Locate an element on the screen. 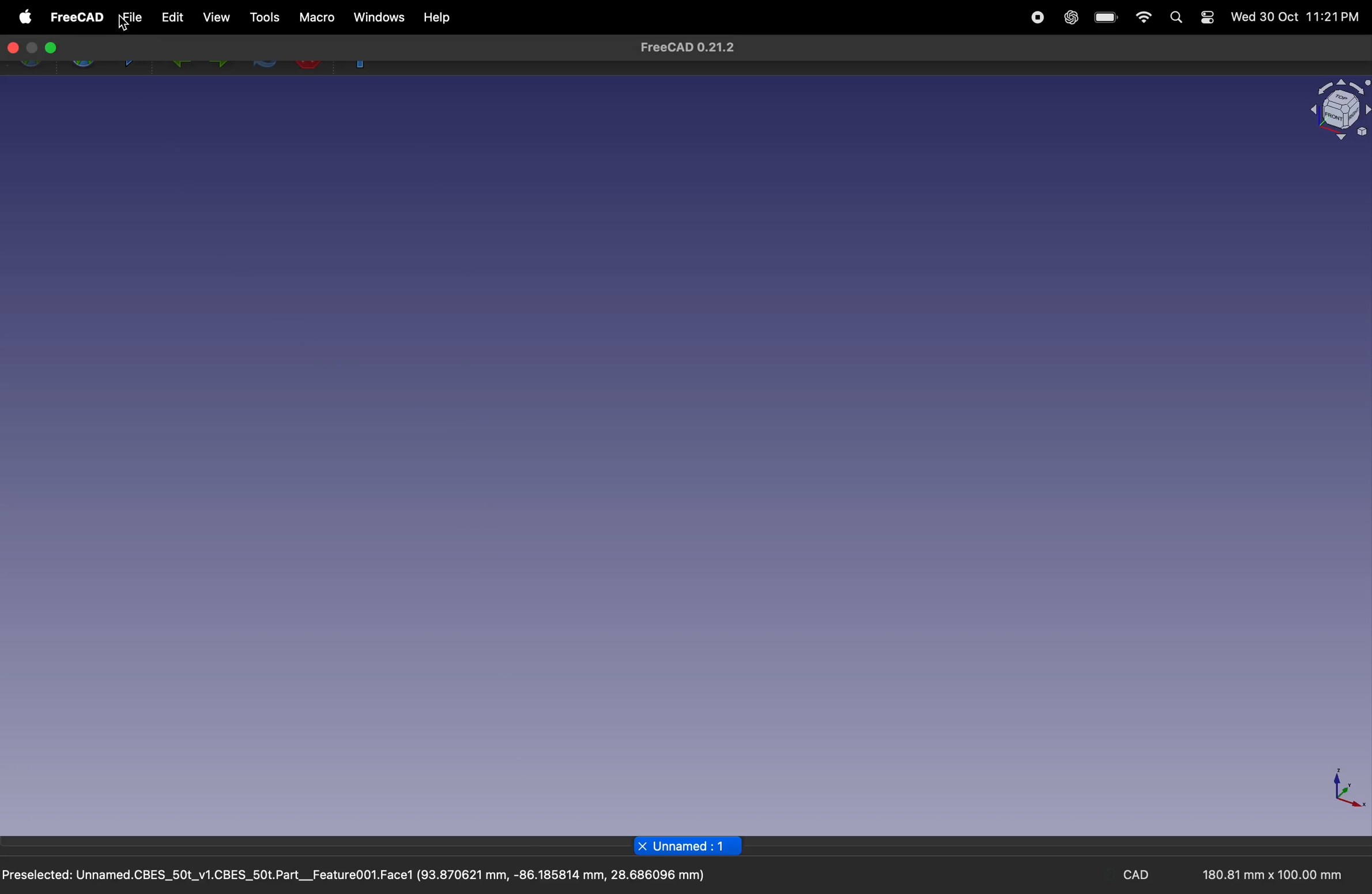  settings is located at coordinates (1207, 18).